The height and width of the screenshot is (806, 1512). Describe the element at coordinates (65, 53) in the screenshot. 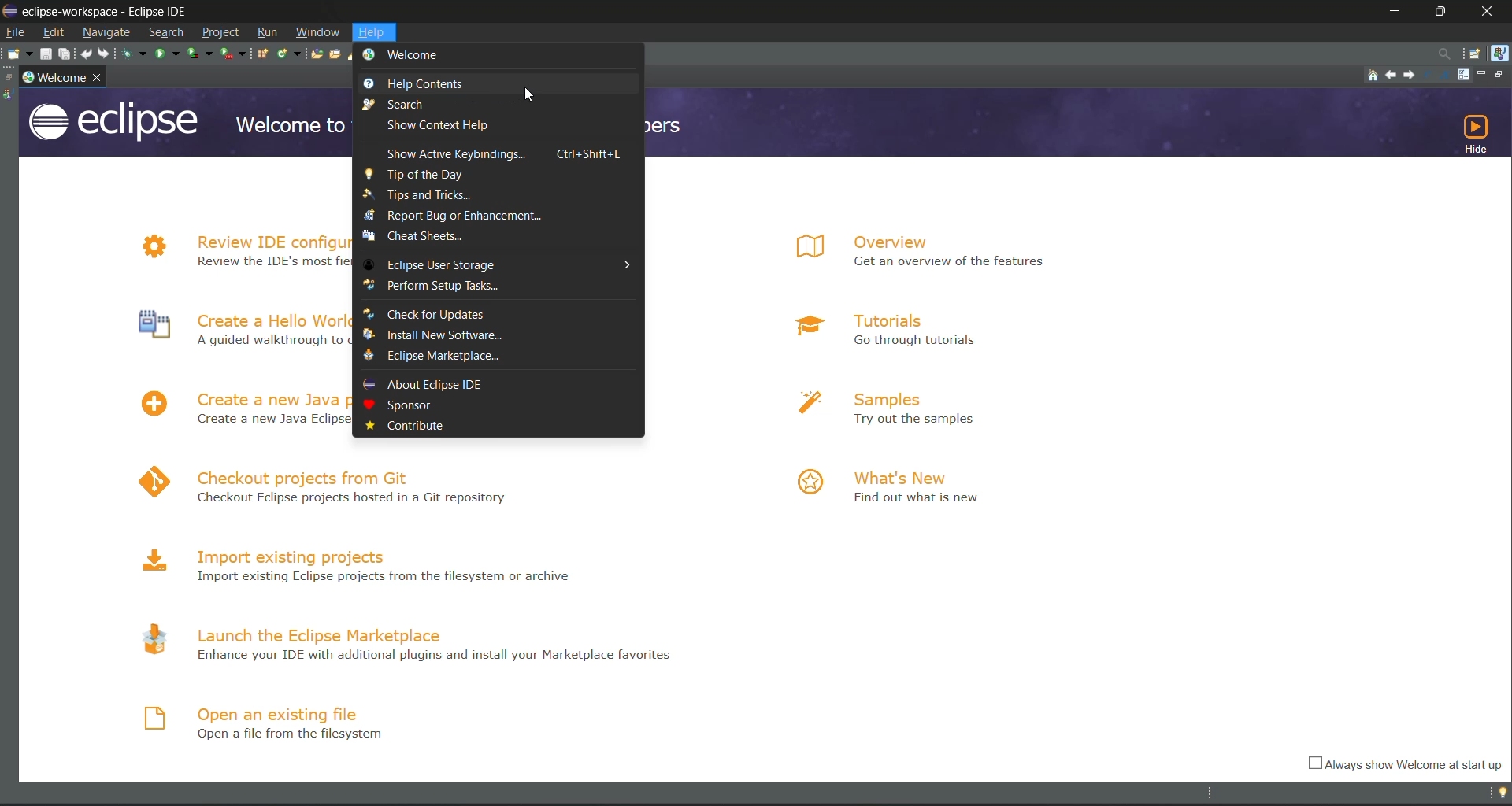

I see `save all` at that location.